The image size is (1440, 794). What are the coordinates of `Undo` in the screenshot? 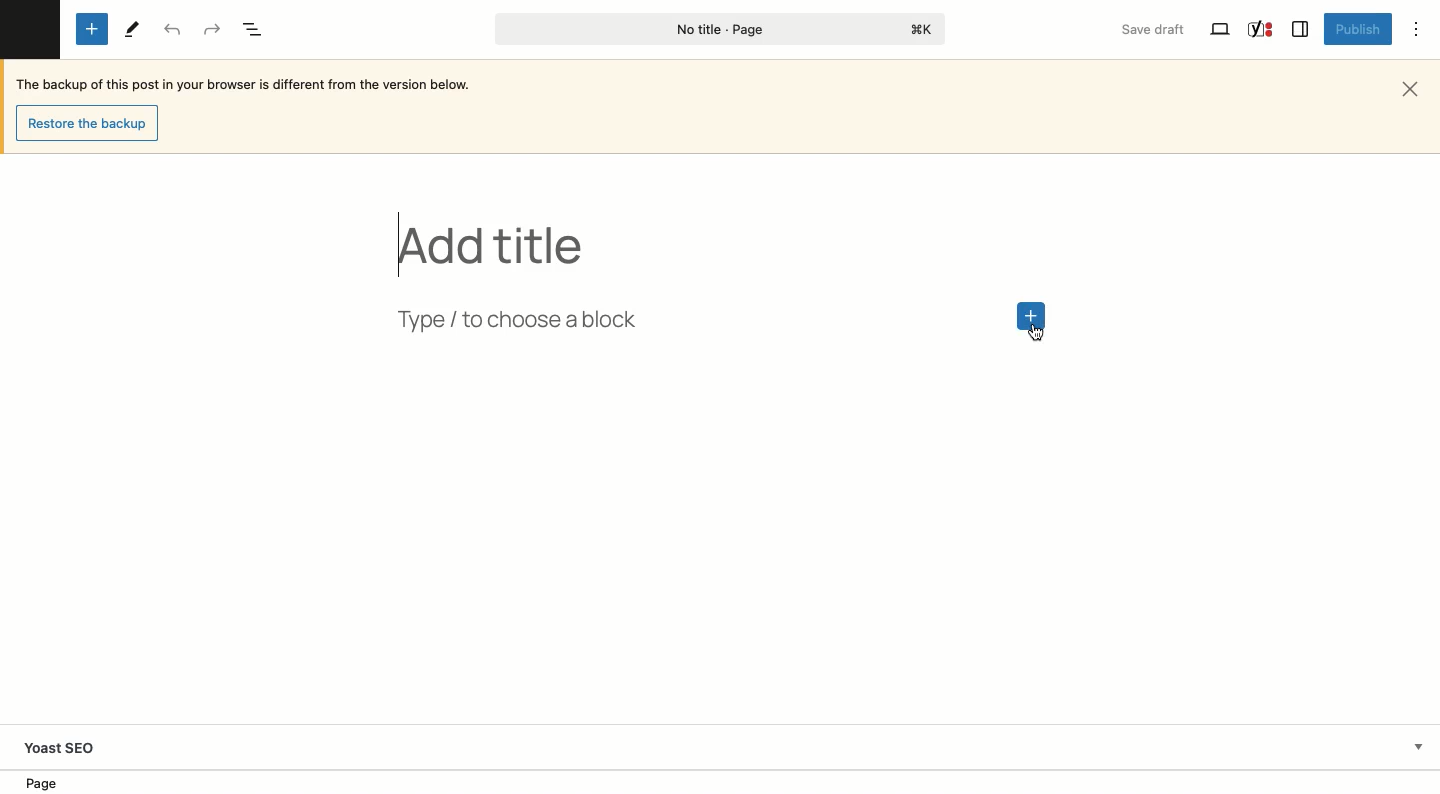 It's located at (174, 31).